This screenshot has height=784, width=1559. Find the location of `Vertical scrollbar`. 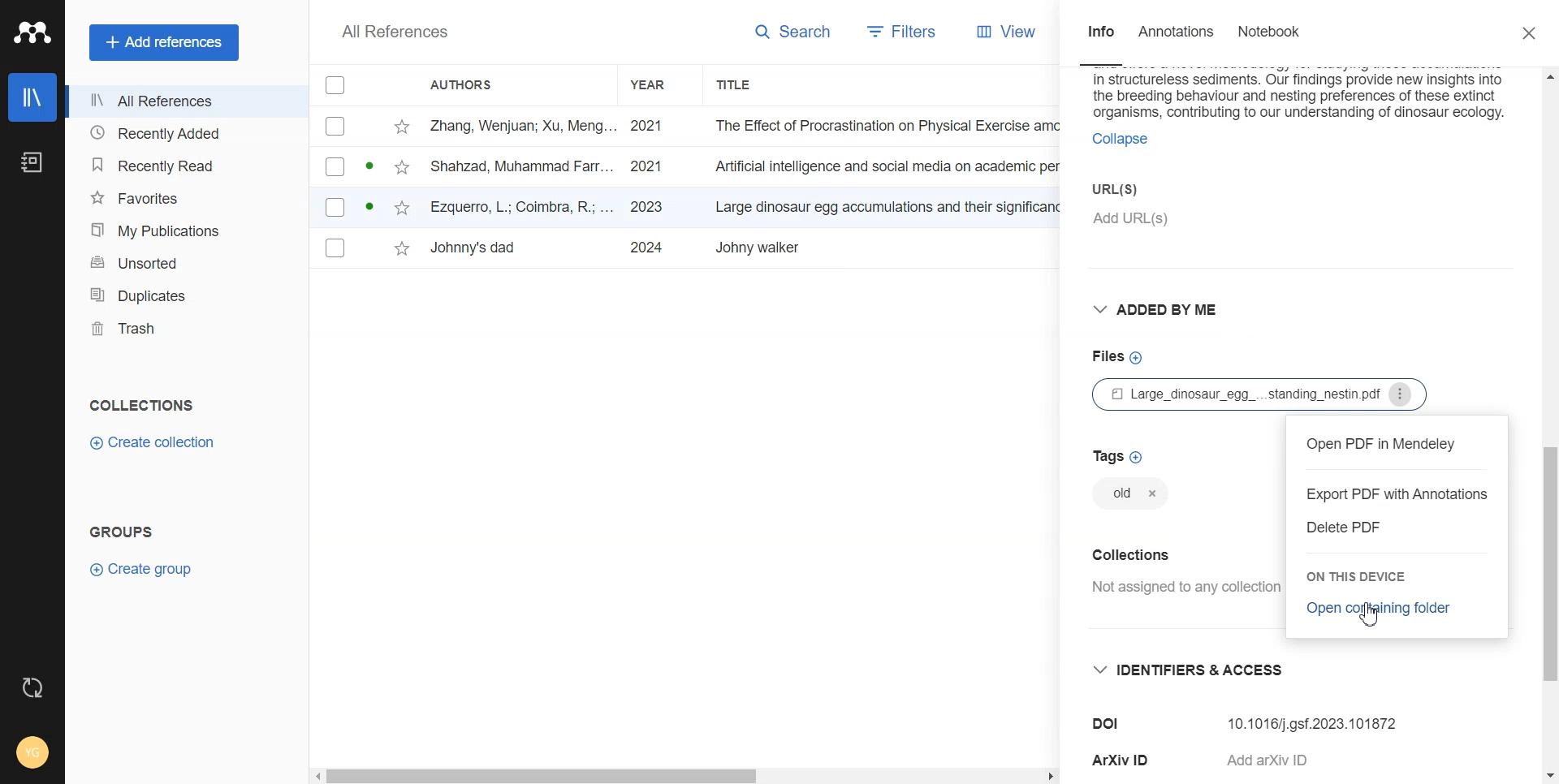

Vertical scrollbar is located at coordinates (1549, 563).